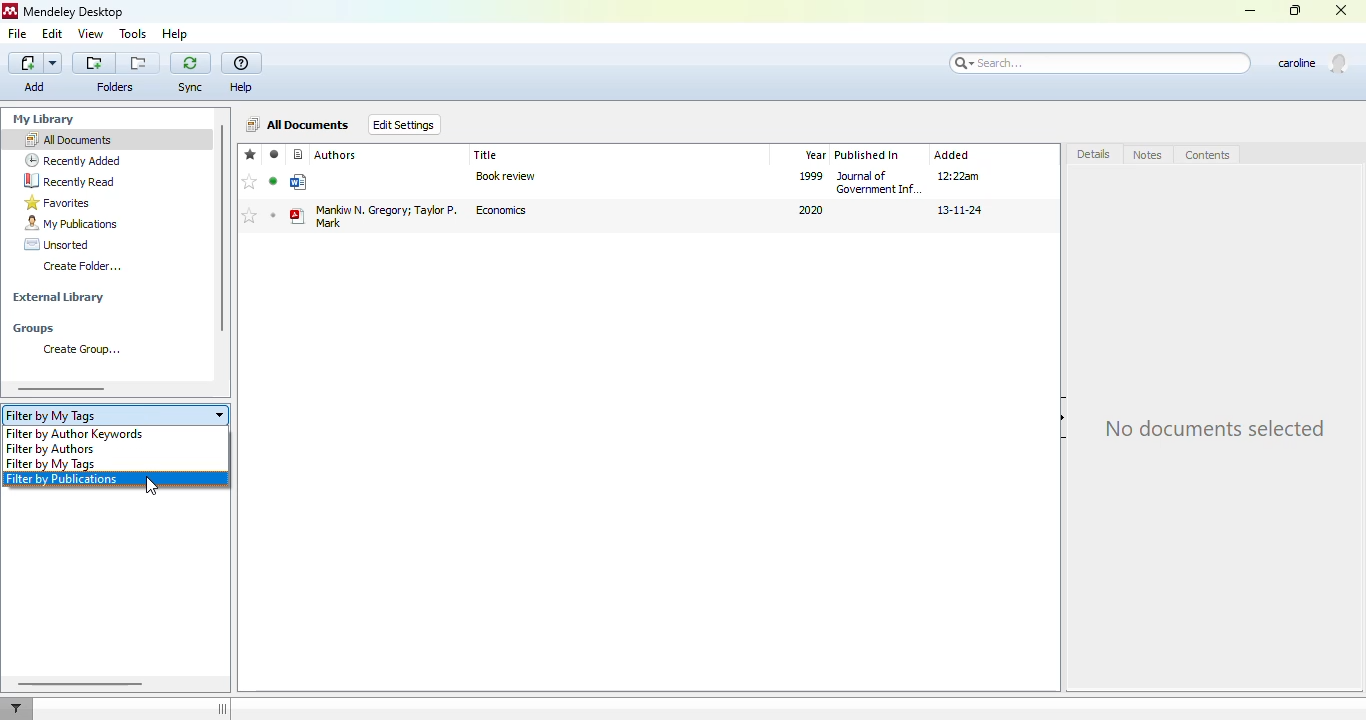  I want to click on all documents, so click(300, 124).